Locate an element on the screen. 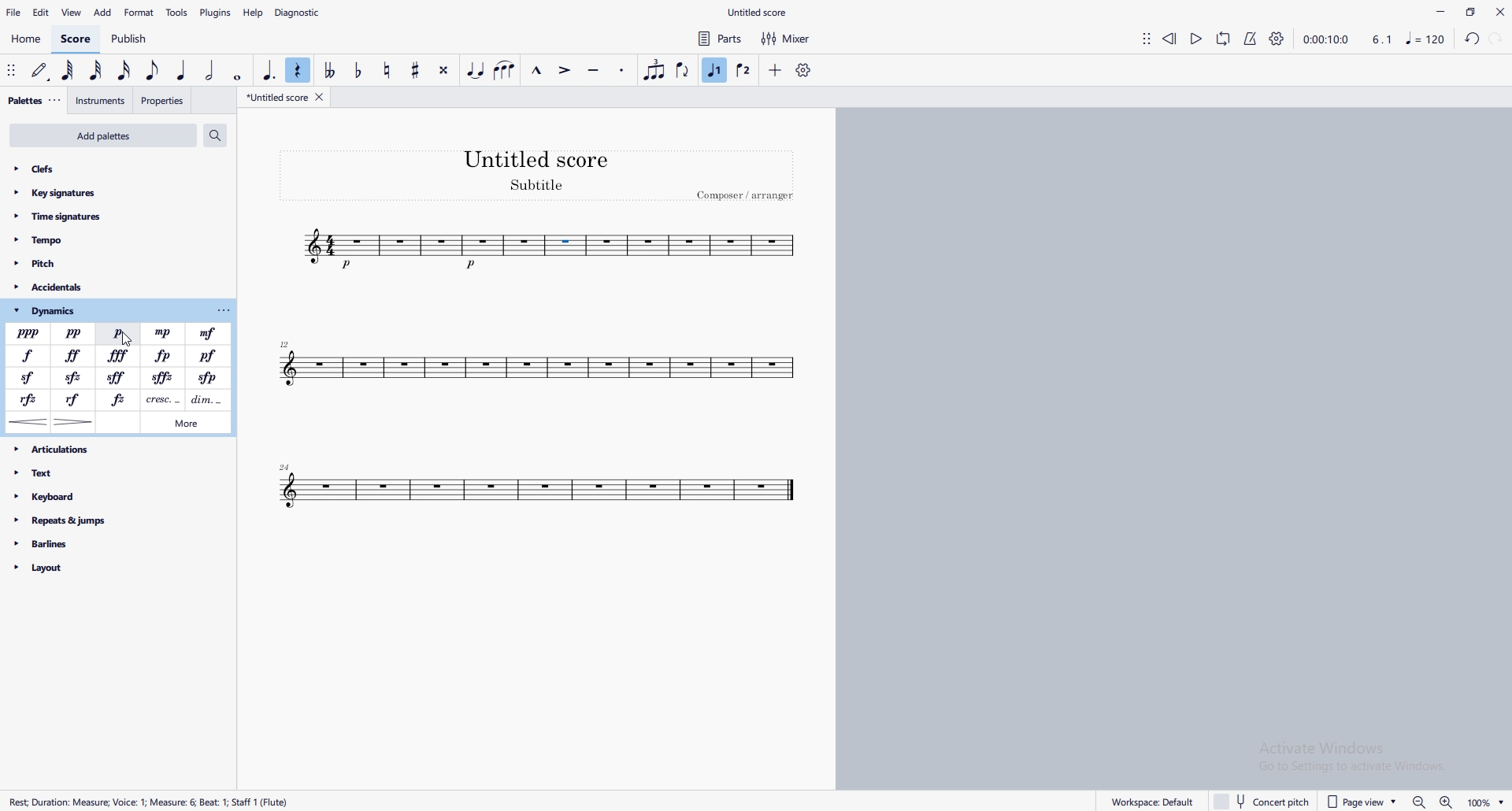  voice 2 is located at coordinates (742, 71).